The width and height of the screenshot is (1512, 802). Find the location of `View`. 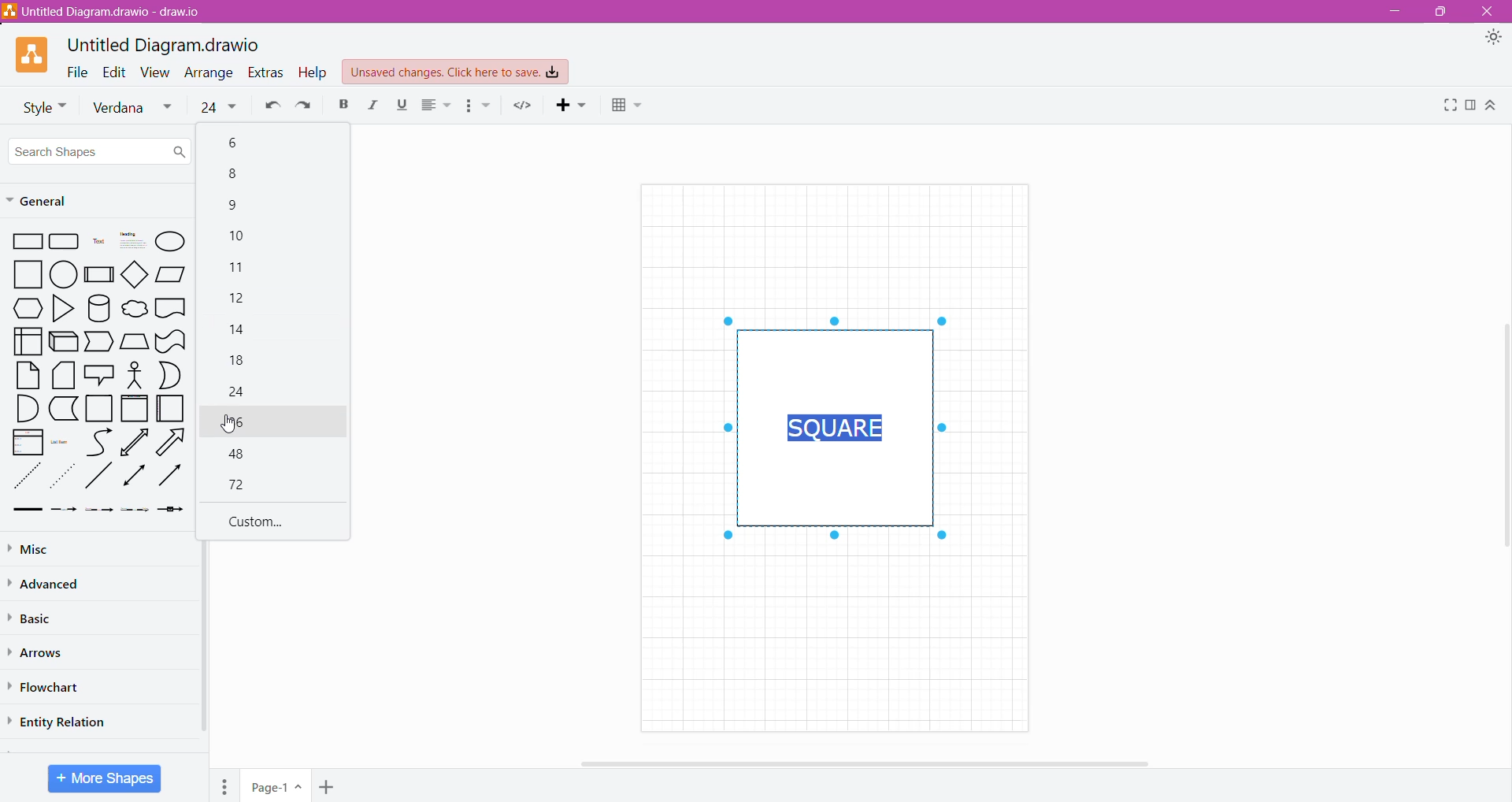

View is located at coordinates (158, 72).